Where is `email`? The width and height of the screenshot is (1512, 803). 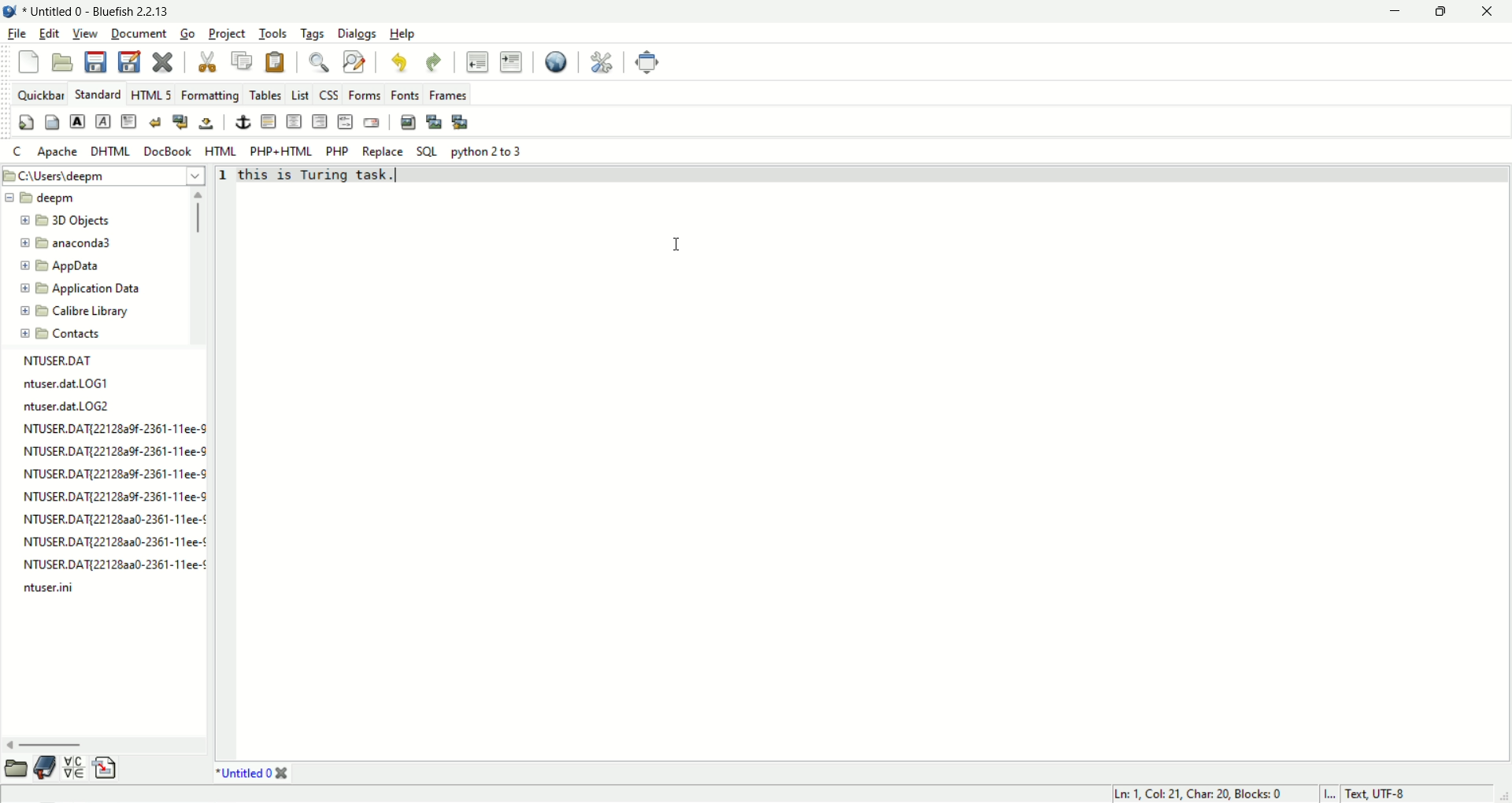
email is located at coordinates (371, 123).